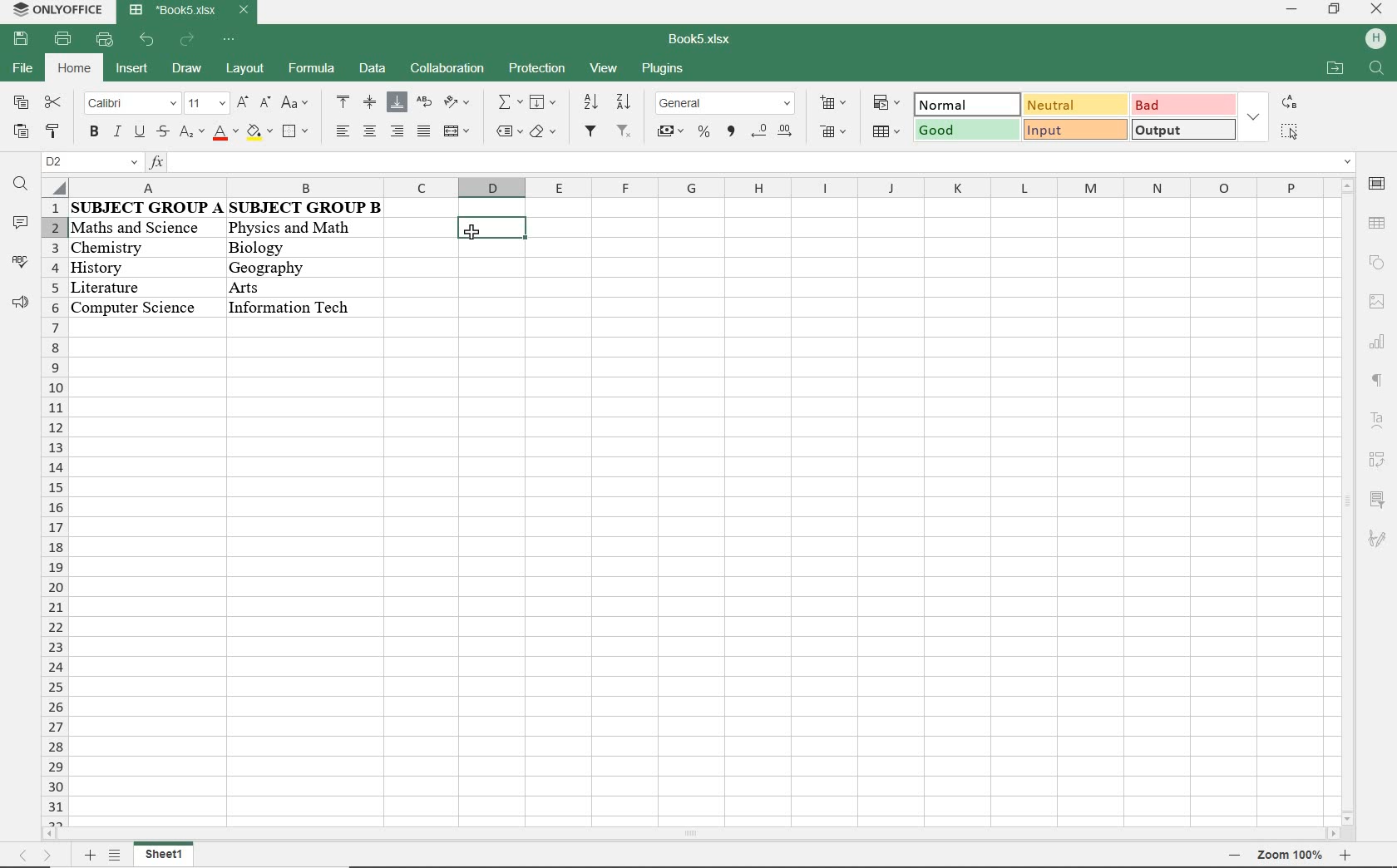 This screenshot has height=868, width=1397. What do you see at coordinates (87, 857) in the screenshot?
I see `add sheet` at bounding box center [87, 857].